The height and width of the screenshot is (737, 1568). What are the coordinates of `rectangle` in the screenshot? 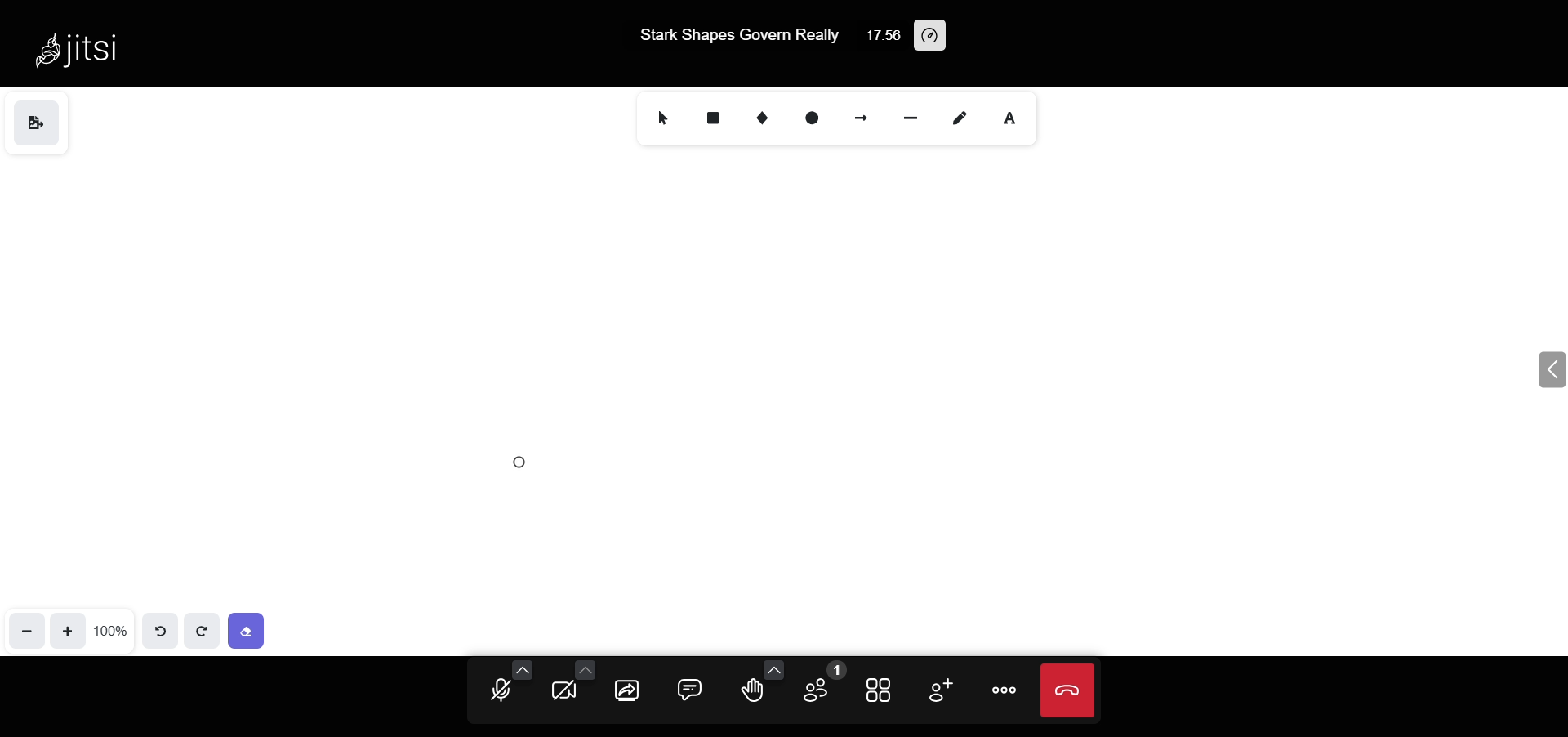 It's located at (715, 118).